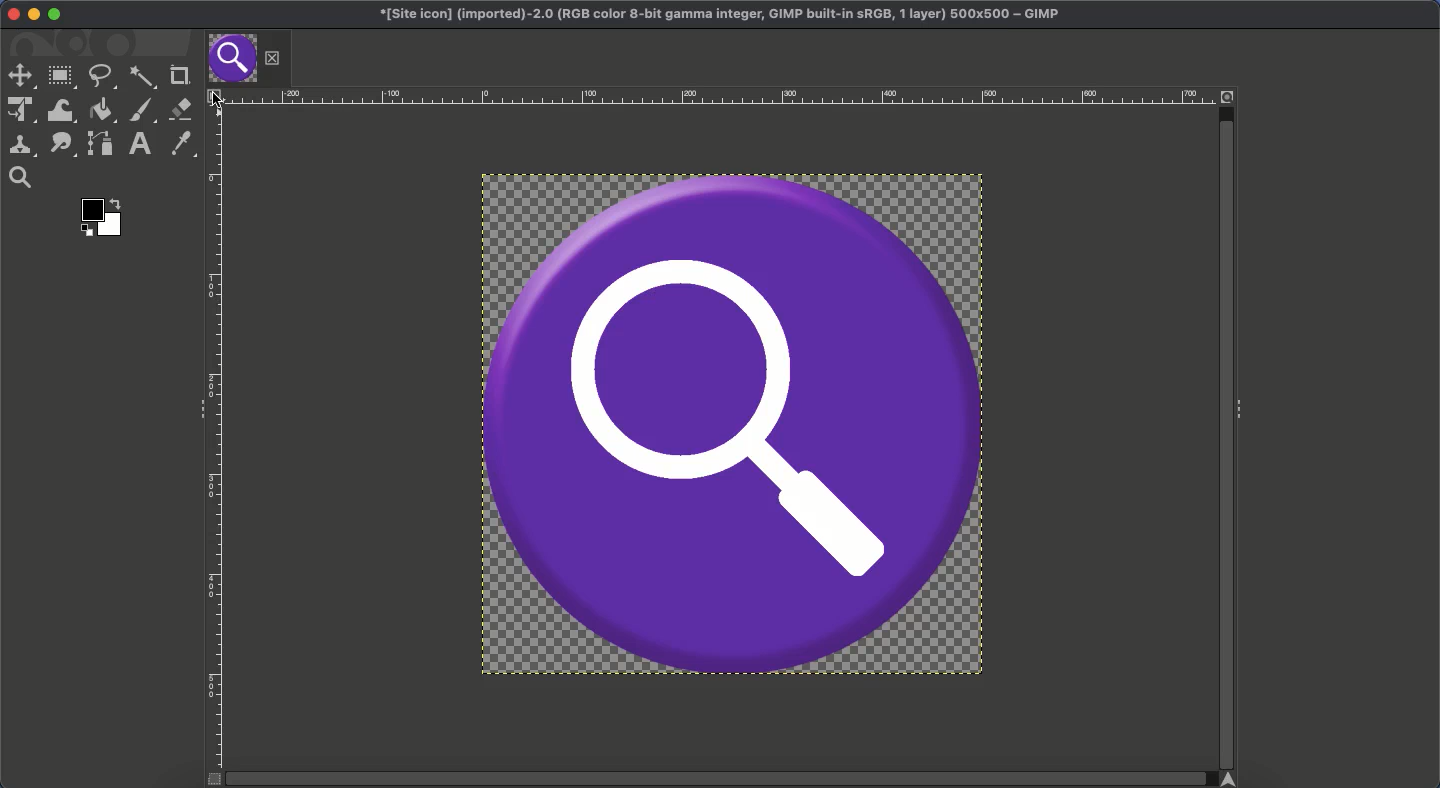 The height and width of the screenshot is (788, 1440). Describe the element at coordinates (1245, 411) in the screenshot. I see `Collapse` at that location.